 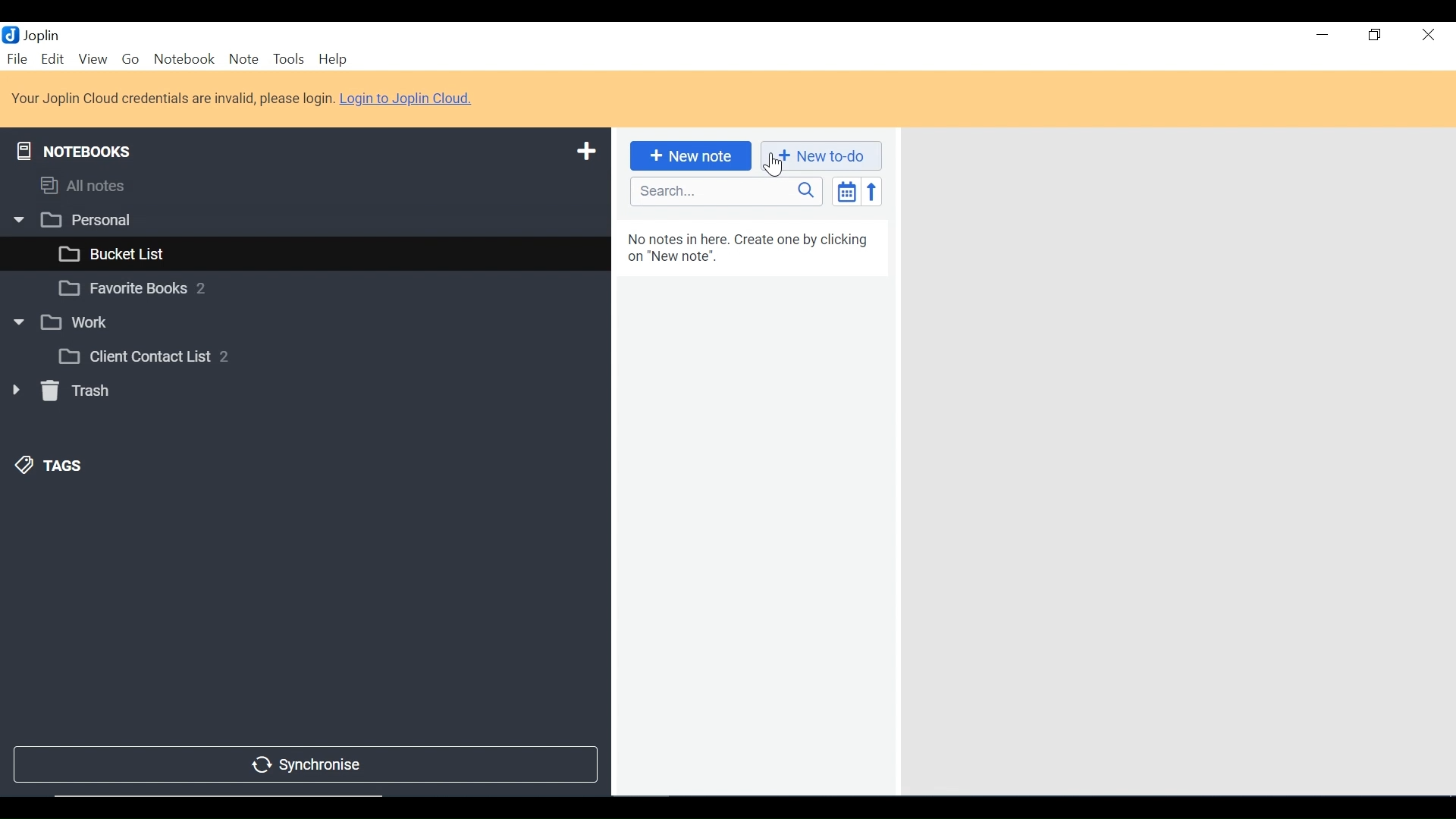 I want to click on Joplin, so click(x=43, y=35).